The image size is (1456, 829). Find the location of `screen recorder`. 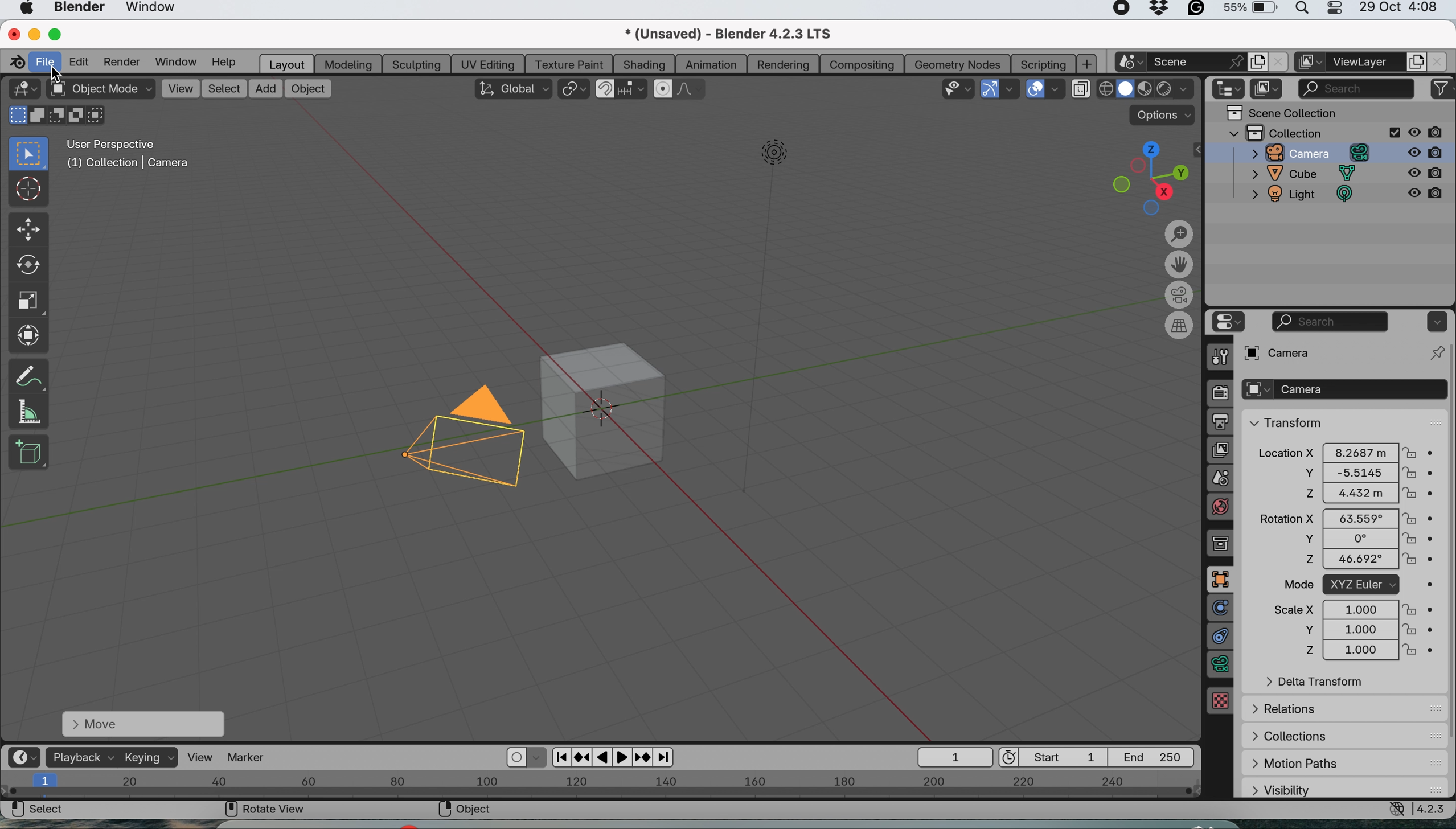

screen recorder is located at coordinates (1117, 10).